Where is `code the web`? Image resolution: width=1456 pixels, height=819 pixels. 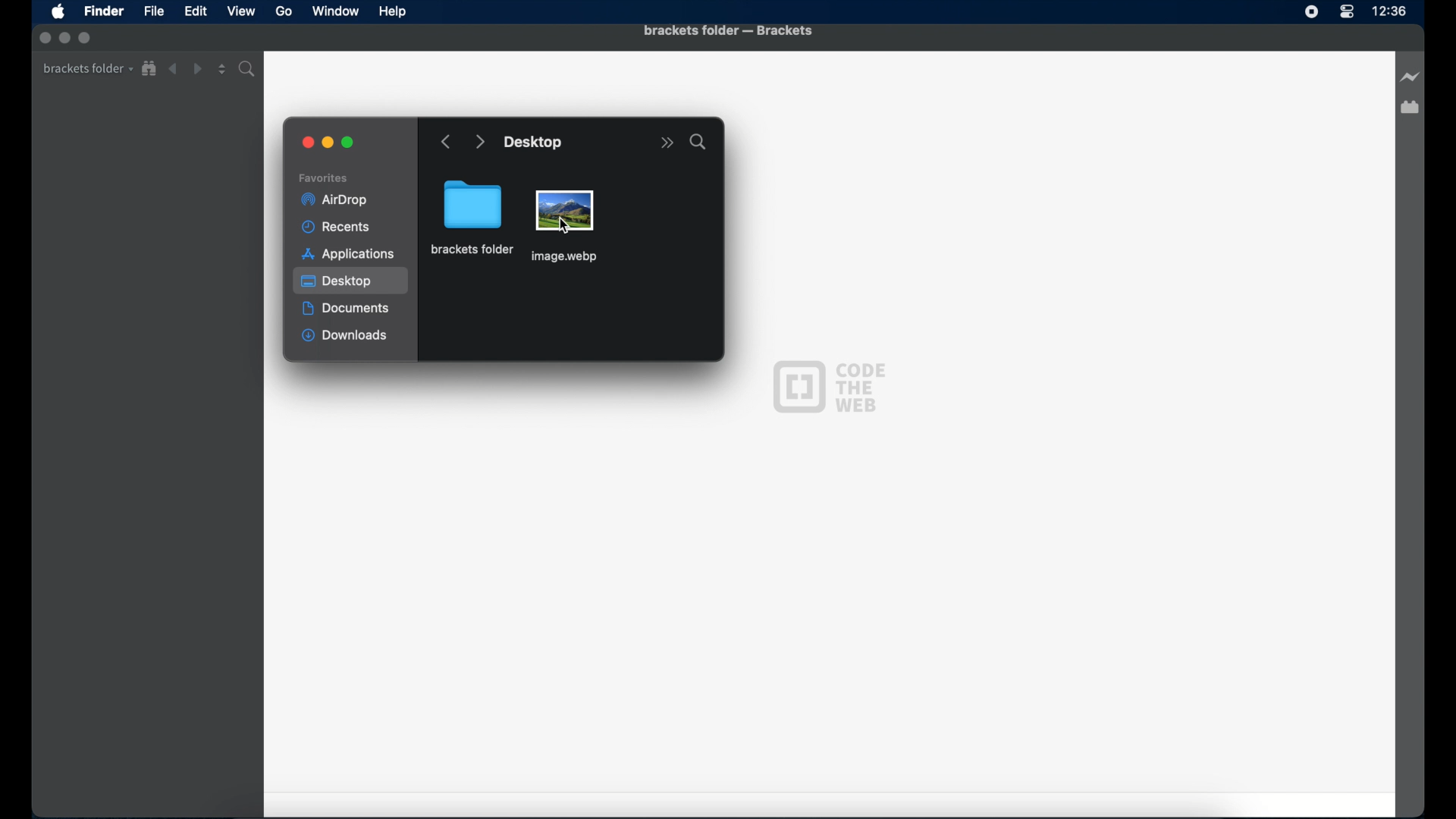
code the web is located at coordinates (829, 385).